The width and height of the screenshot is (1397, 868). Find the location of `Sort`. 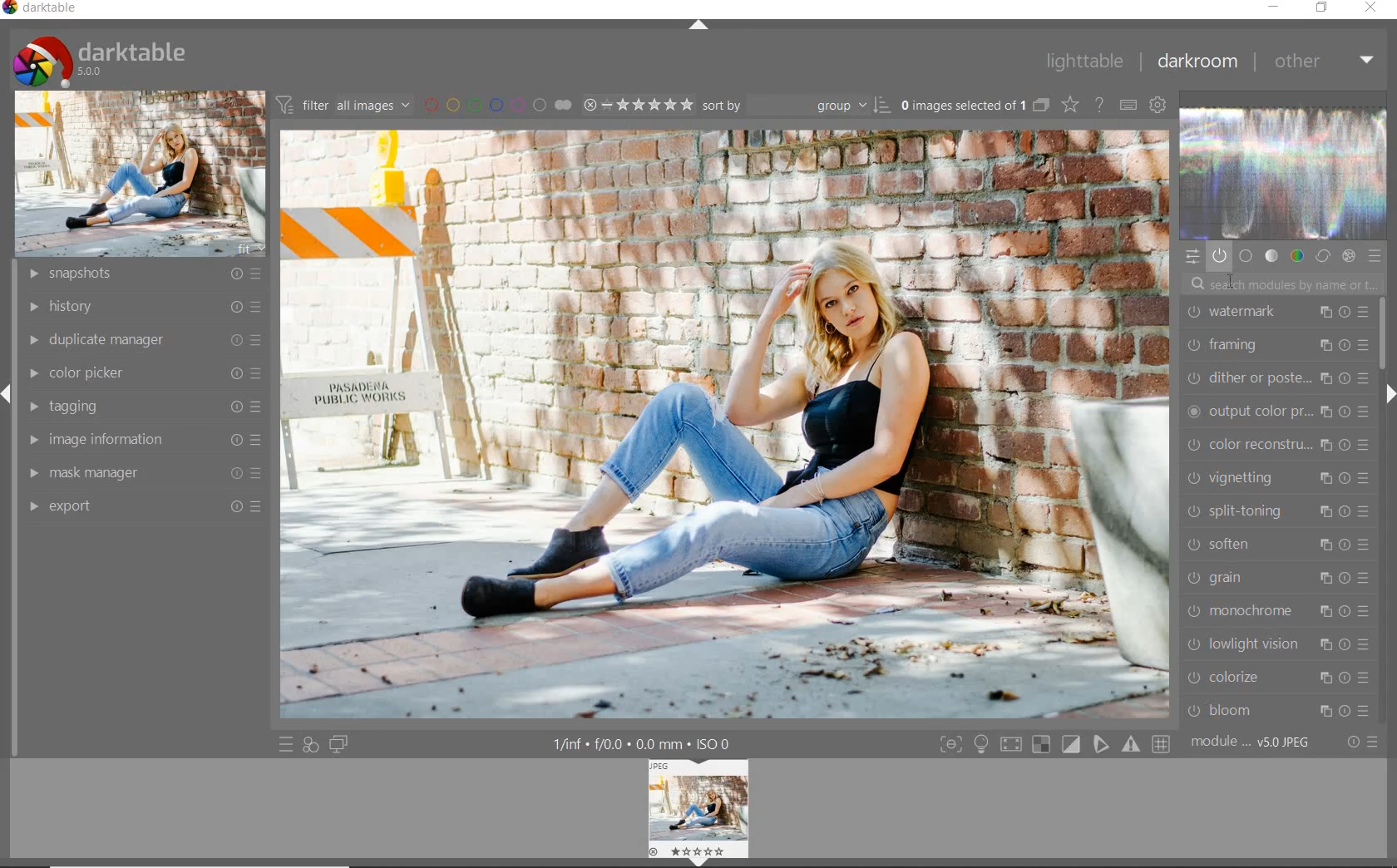

Sort is located at coordinates (797, 106).